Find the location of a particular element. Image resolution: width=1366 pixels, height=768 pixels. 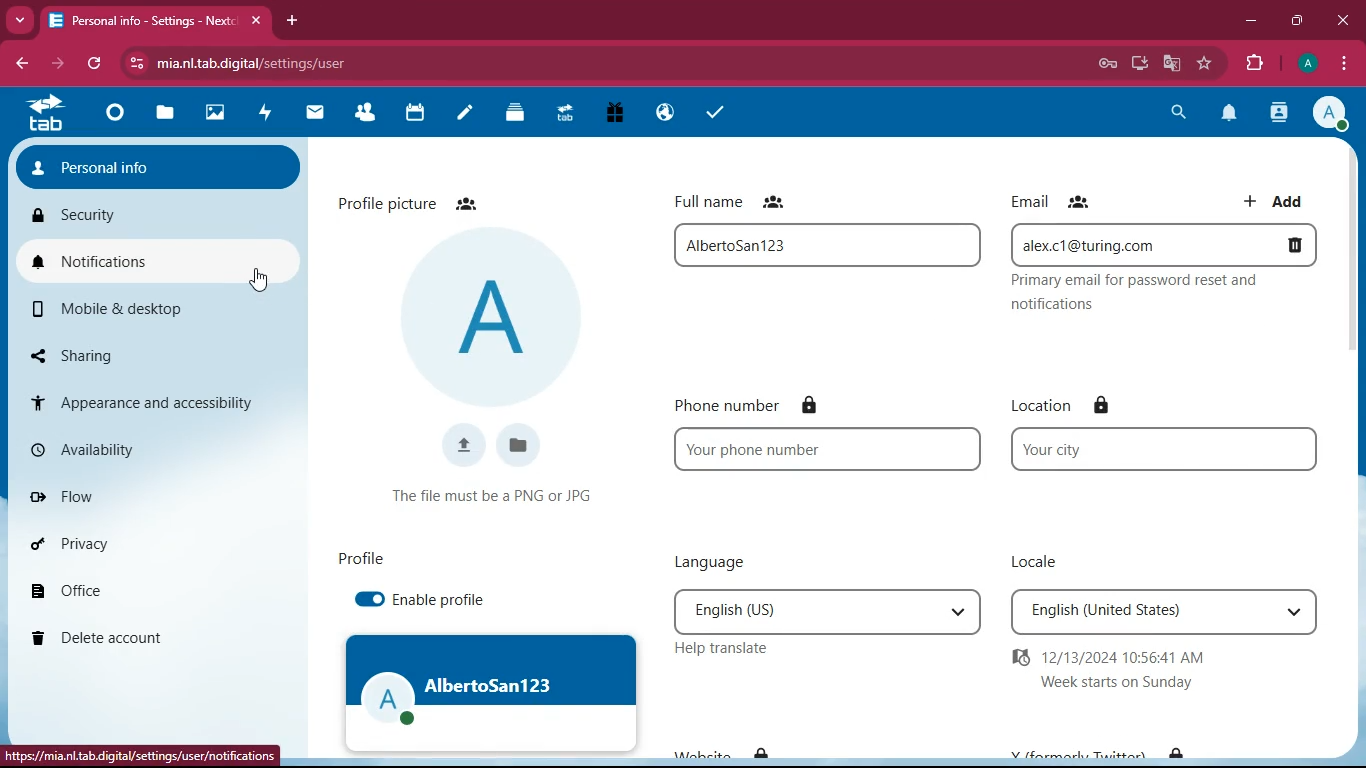

calendar is located at coordinates (415, 115).